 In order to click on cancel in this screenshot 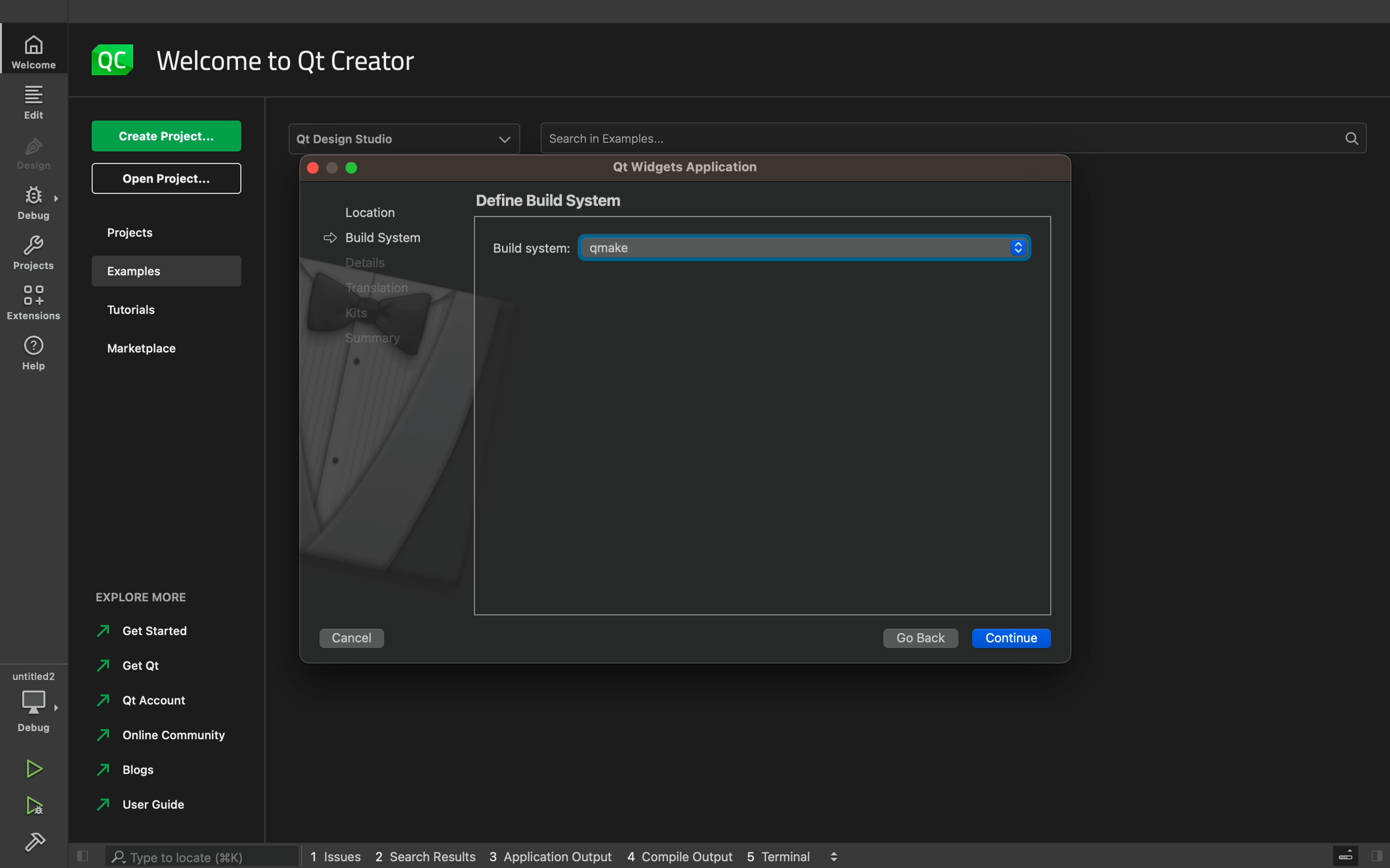, I will do `click(357, 635)`.